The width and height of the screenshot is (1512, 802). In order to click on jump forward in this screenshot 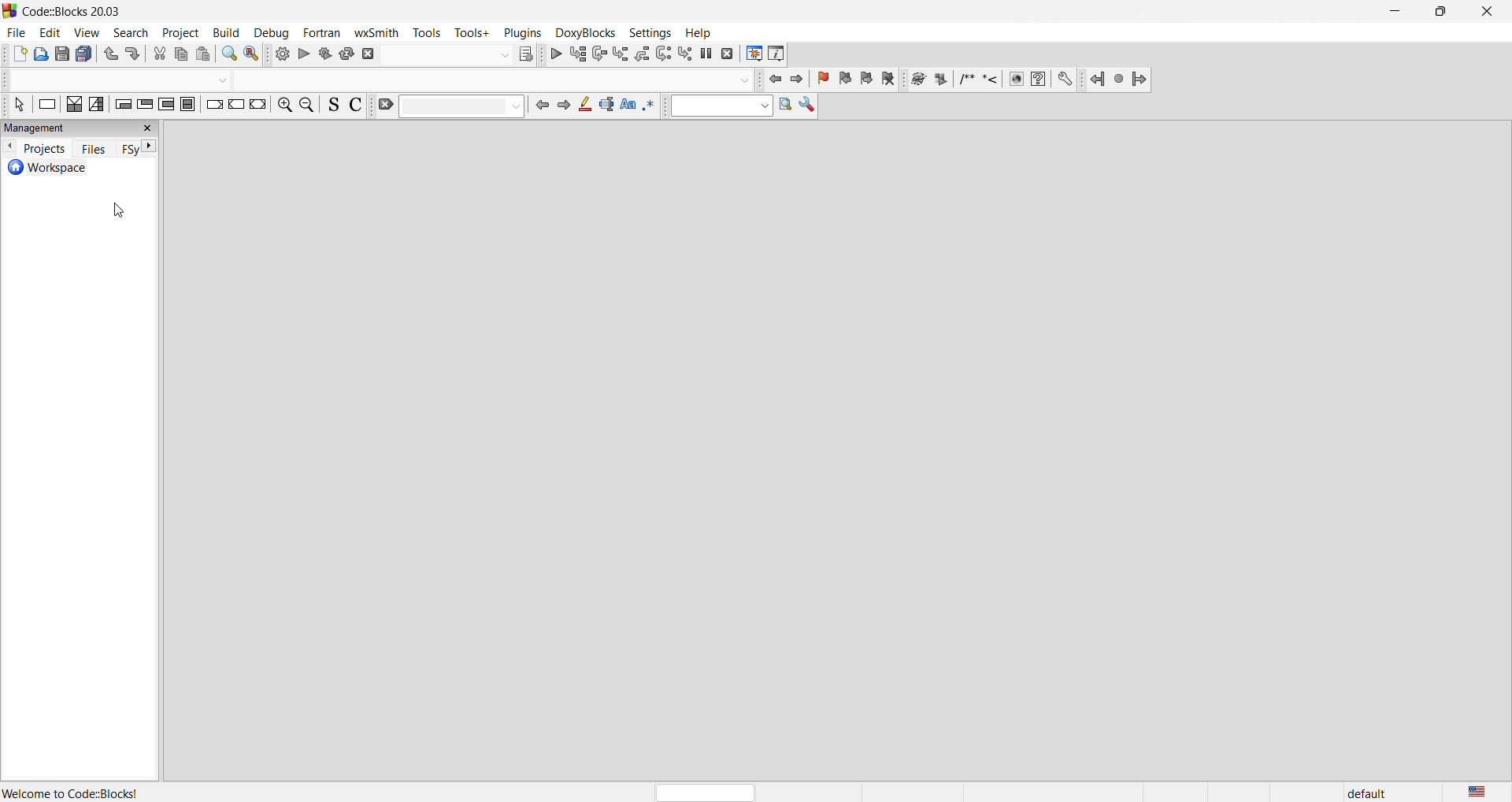, I will do `click(797, 80)`.